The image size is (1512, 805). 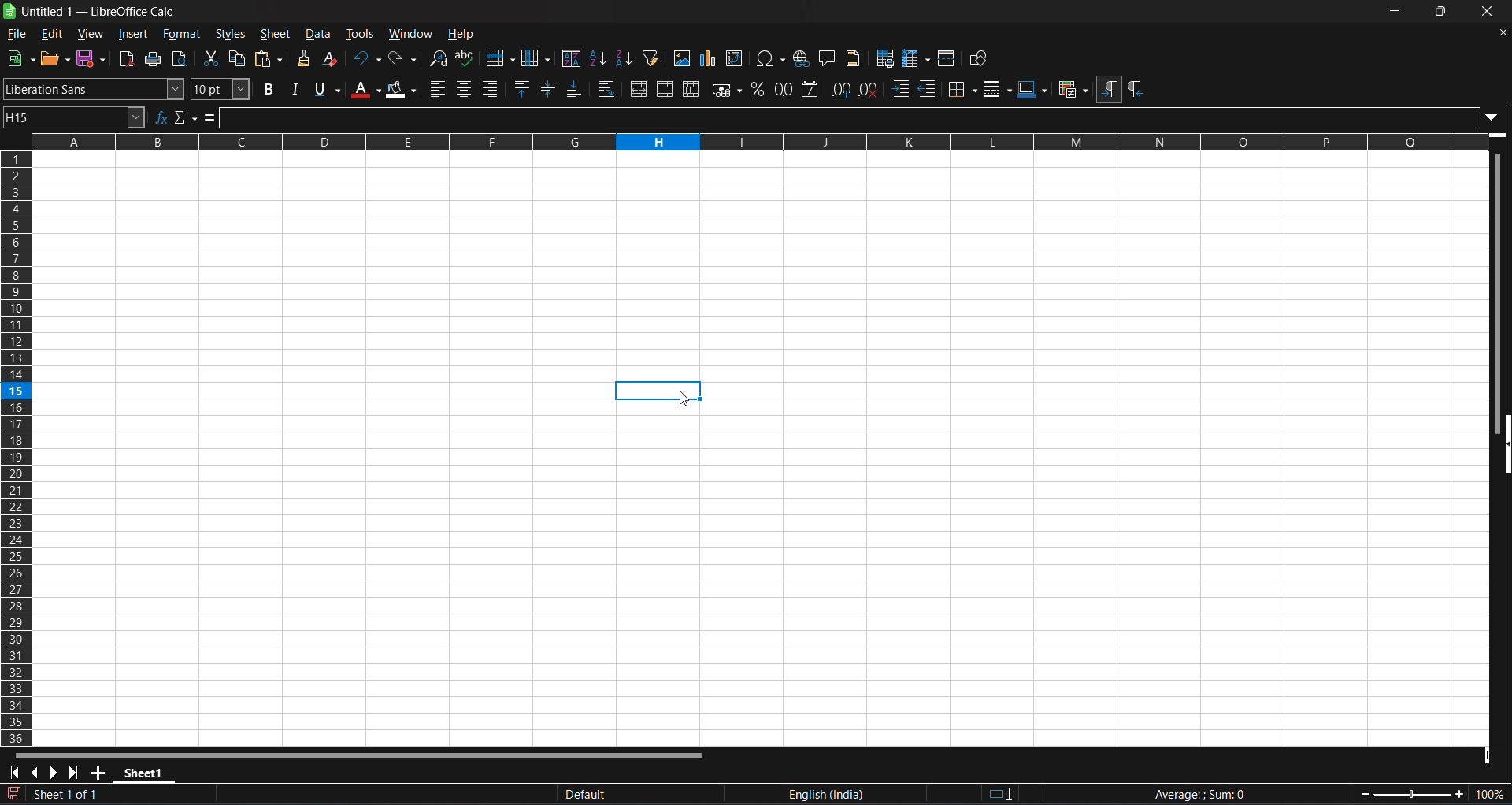 What do you see at coordinates (1400, 13) in the screenshot?
I see `minimize` at bounding box center [1400, 13].